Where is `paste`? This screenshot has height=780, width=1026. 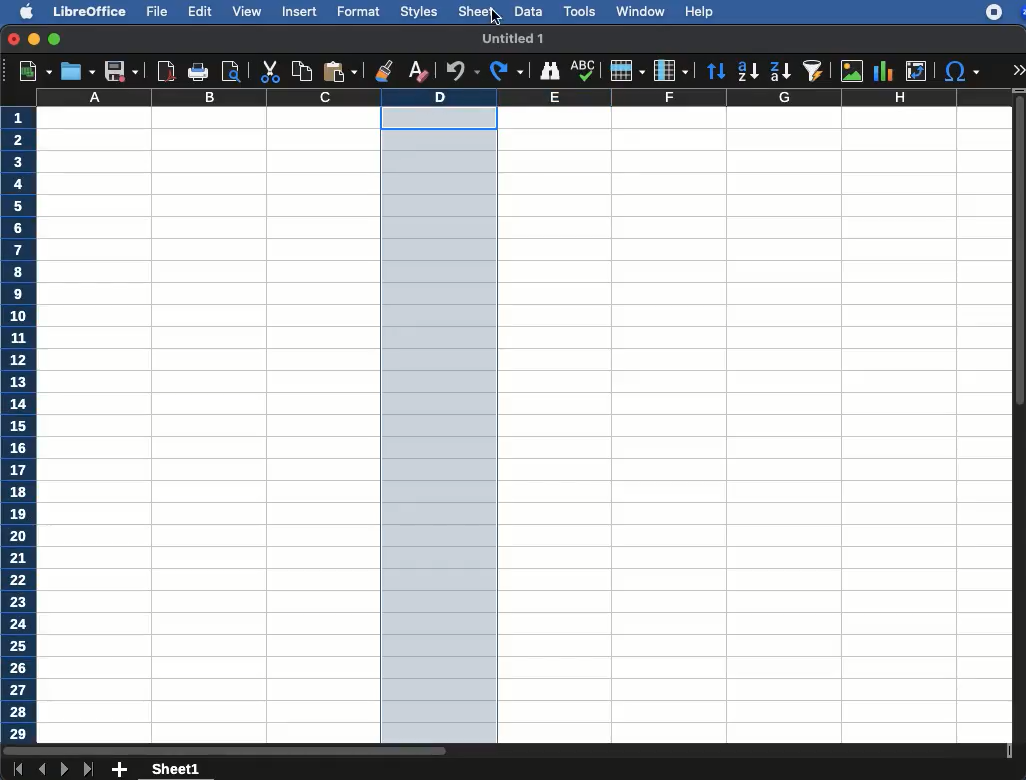
paste is located at coordinates (339, 72).